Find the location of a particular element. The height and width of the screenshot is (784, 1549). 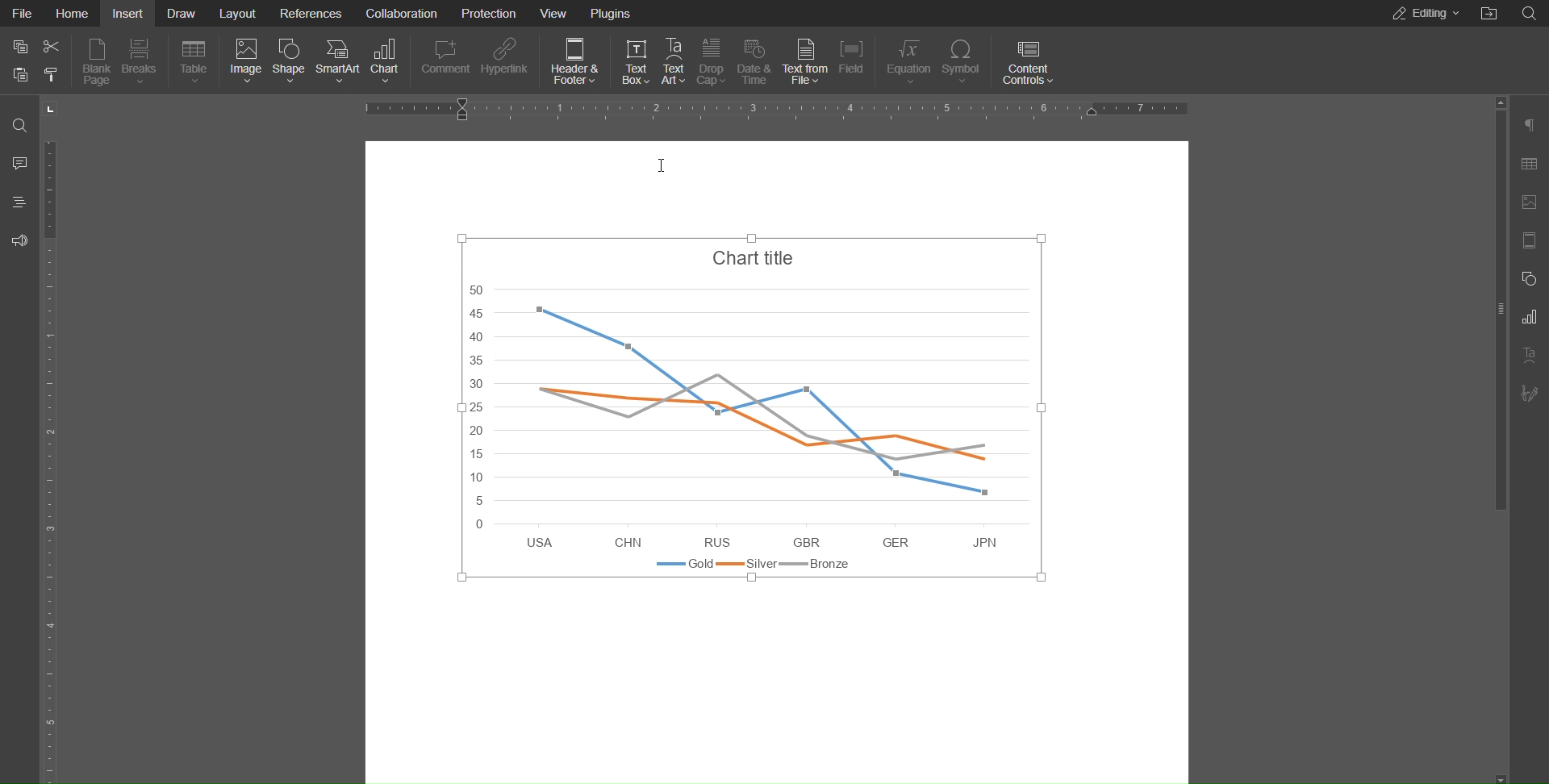

Highlighted Point is located at coordinates (717, 411).